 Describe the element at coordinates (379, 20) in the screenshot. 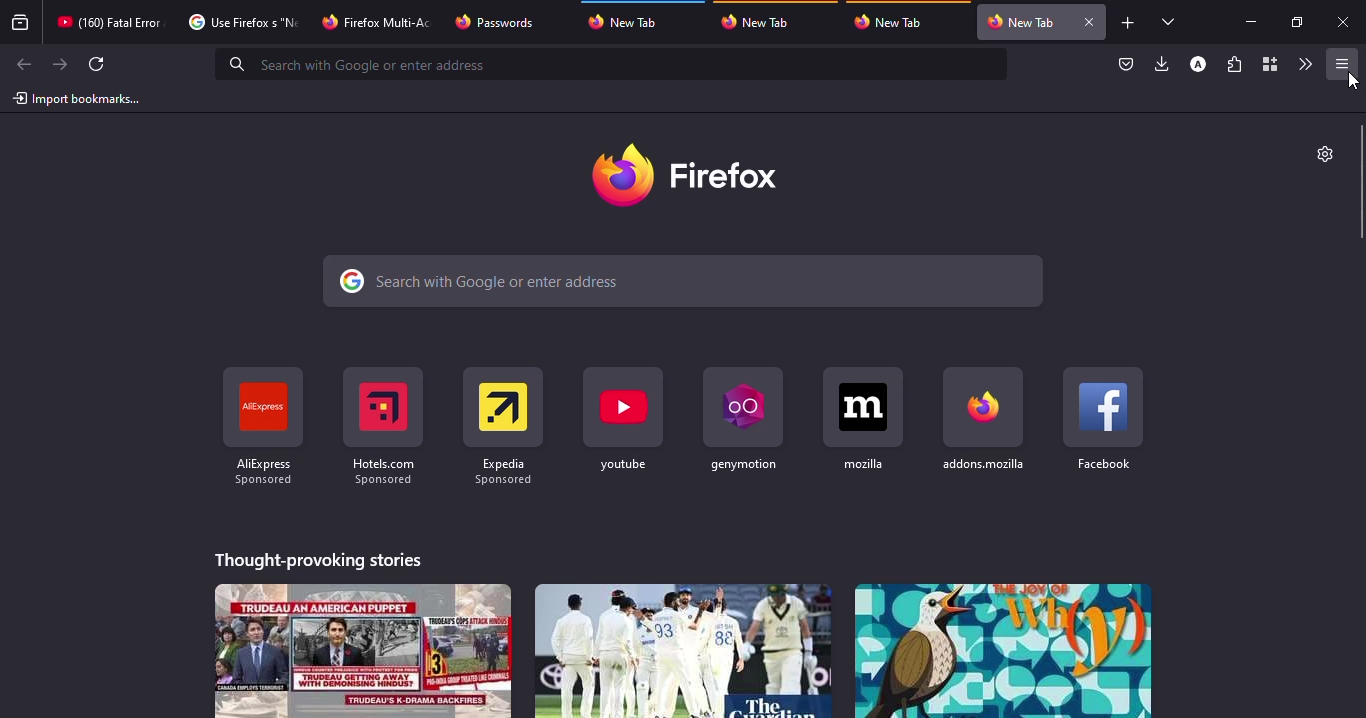

I see `tab` at that location.